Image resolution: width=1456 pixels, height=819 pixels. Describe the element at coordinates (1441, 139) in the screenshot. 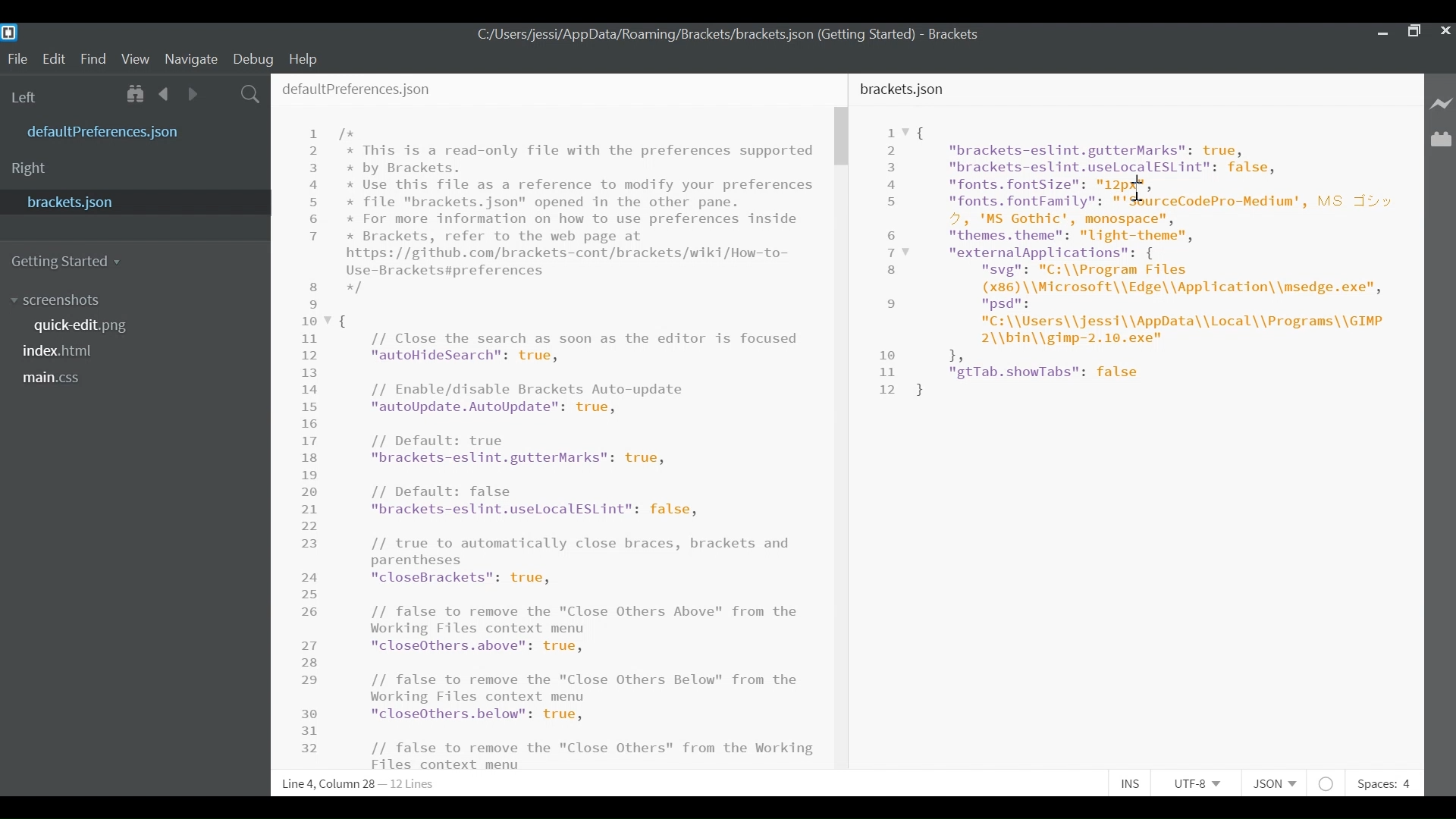

I see `Manage Extensions` at that location.